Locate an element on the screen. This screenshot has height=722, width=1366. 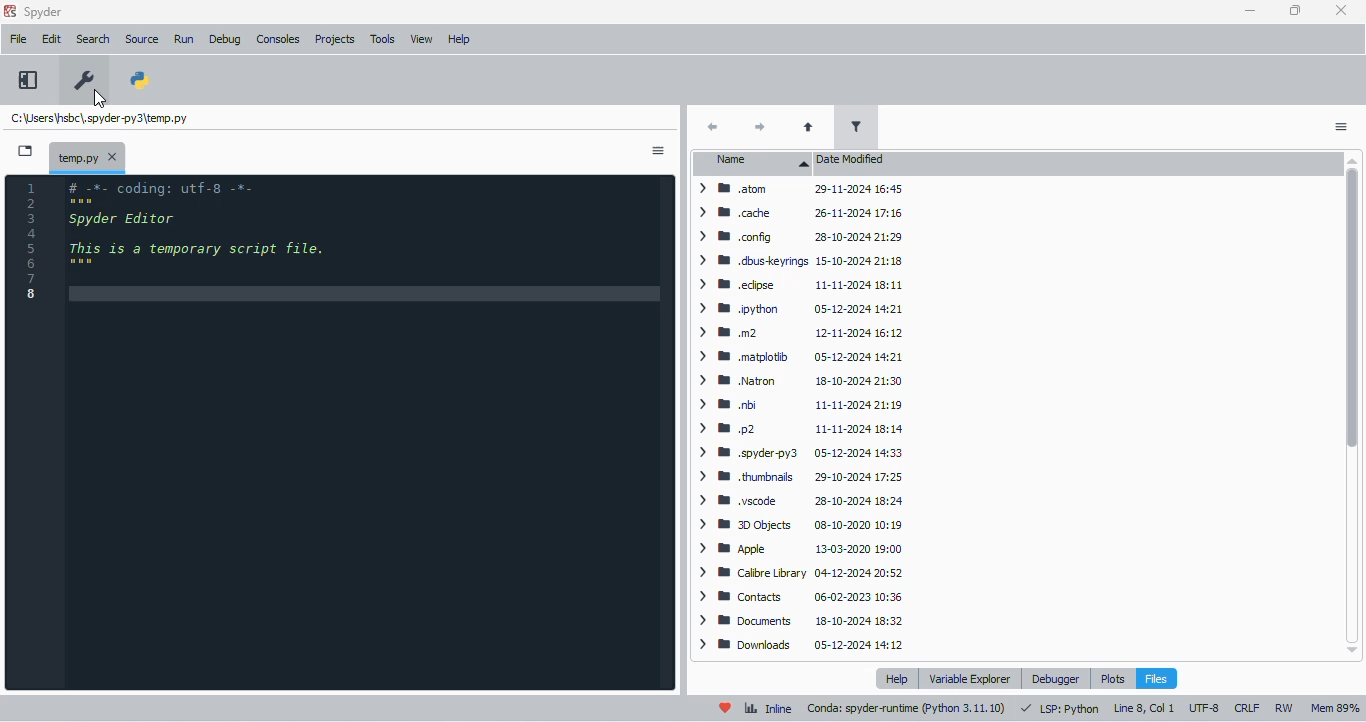
preferences is located at coordinates (83, 81).